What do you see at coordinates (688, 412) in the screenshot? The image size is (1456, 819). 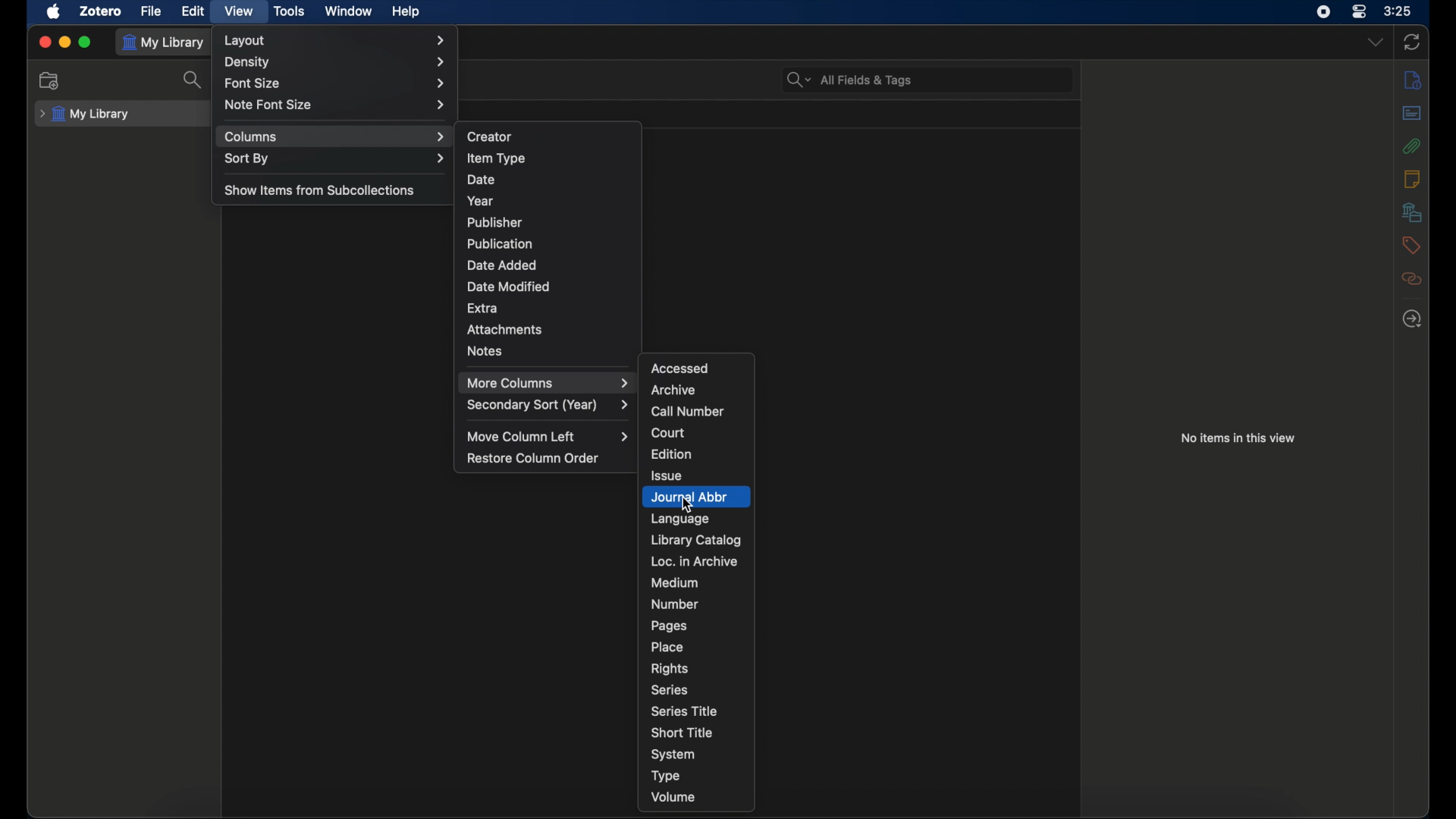 I see `call number` at bounding box center [688, 412].